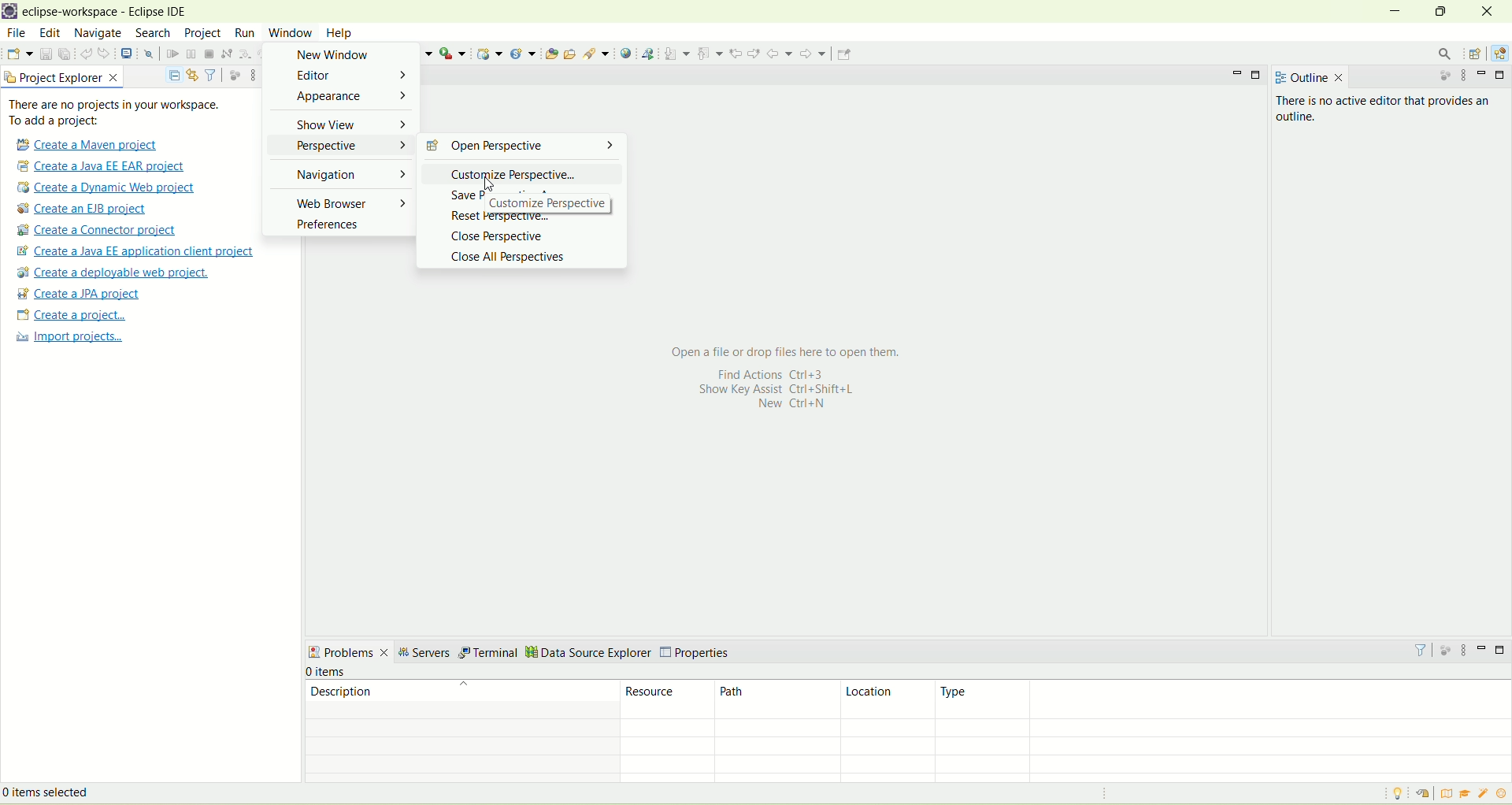  Describe the element at coordinates (347, 98) in the screenshot. I see `appearance` at that location.